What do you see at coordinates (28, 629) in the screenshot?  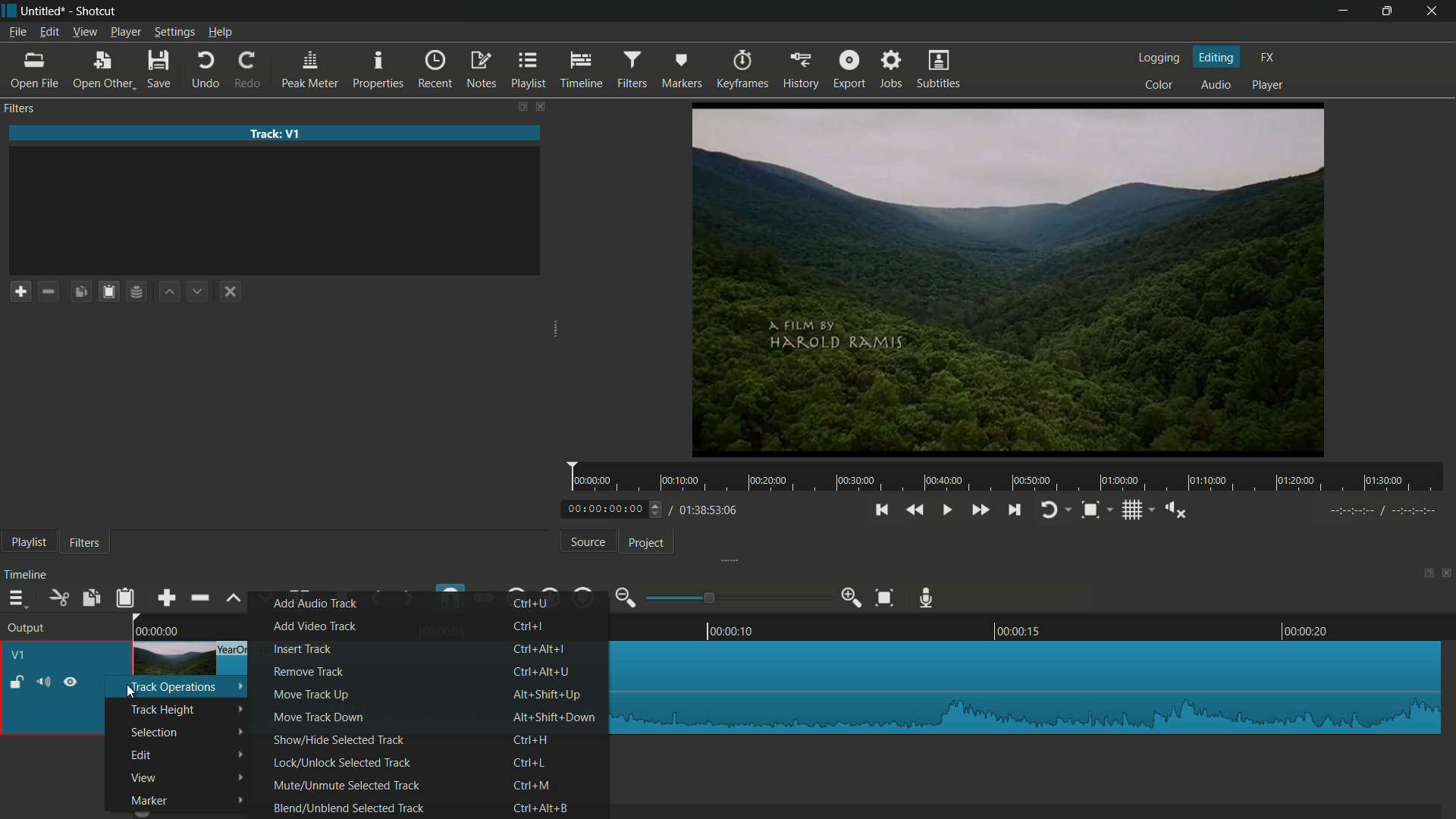 I see `output` at bounding box center [28, 629].